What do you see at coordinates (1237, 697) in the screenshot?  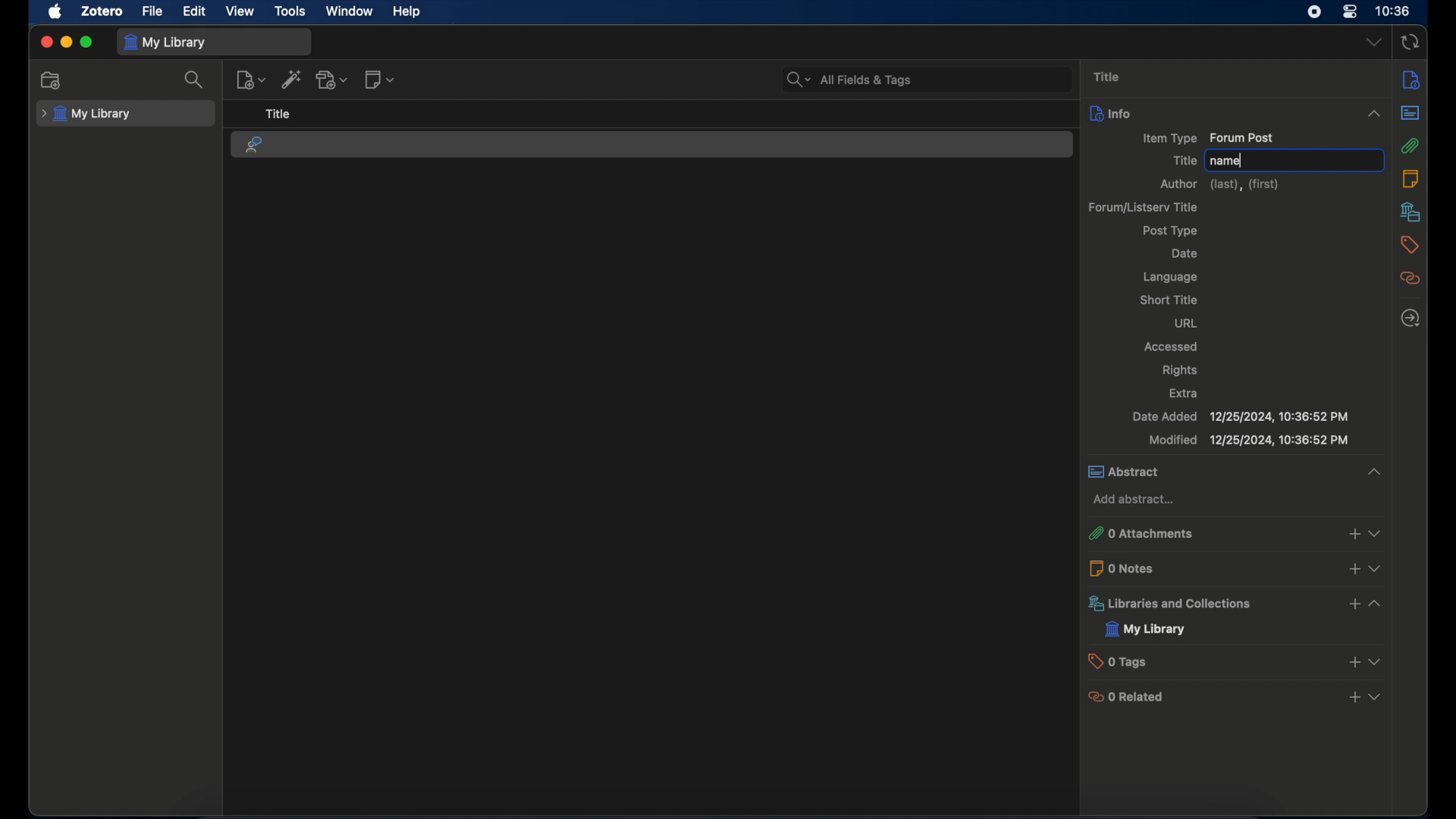 I see `0 related` at bounding box center [1237, 697].